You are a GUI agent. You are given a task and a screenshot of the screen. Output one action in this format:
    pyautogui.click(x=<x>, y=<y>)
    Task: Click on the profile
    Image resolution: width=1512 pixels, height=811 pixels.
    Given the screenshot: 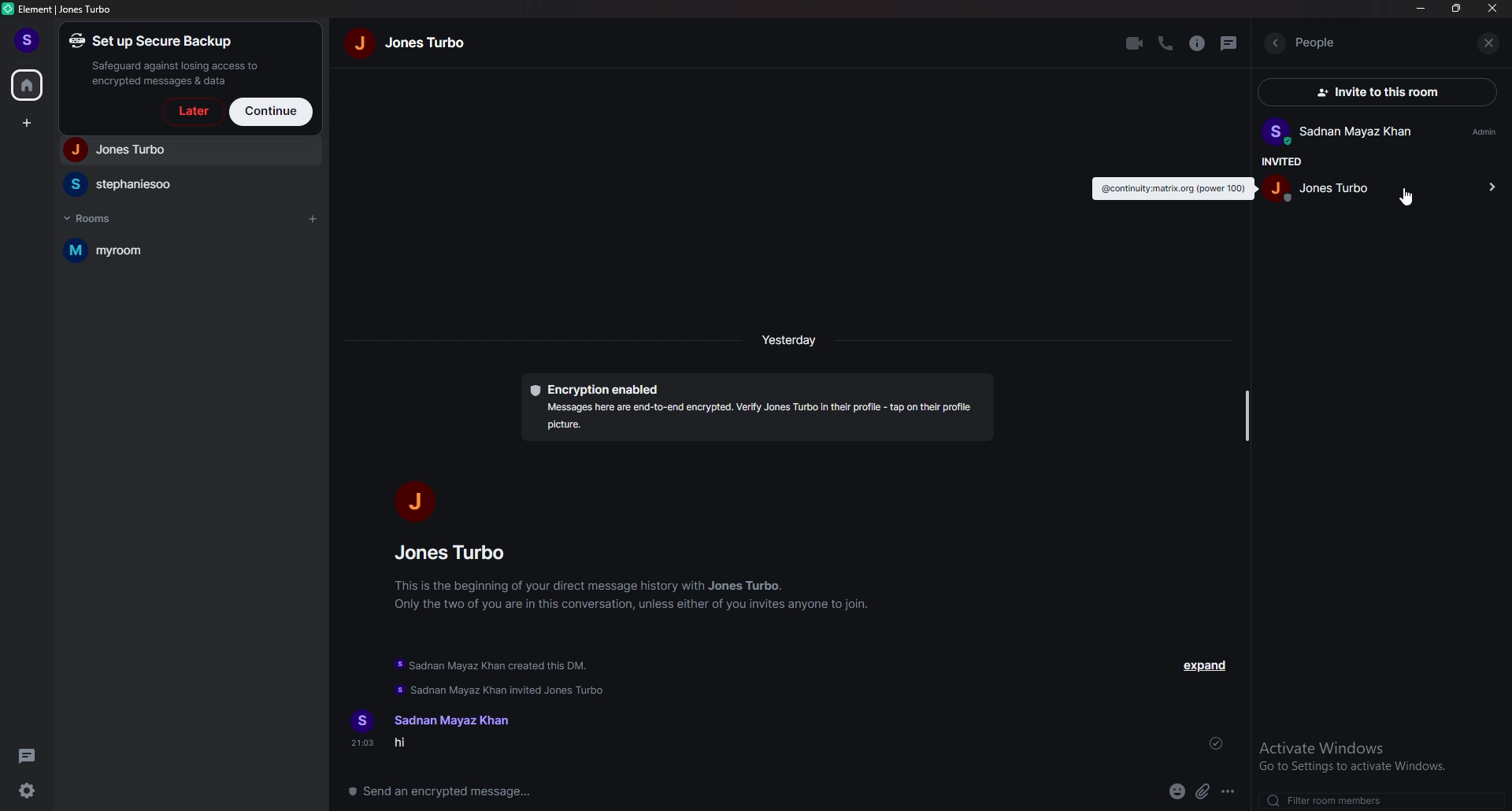 What is the action you would take?
    pyautogui.click(x=30, y=41)
    